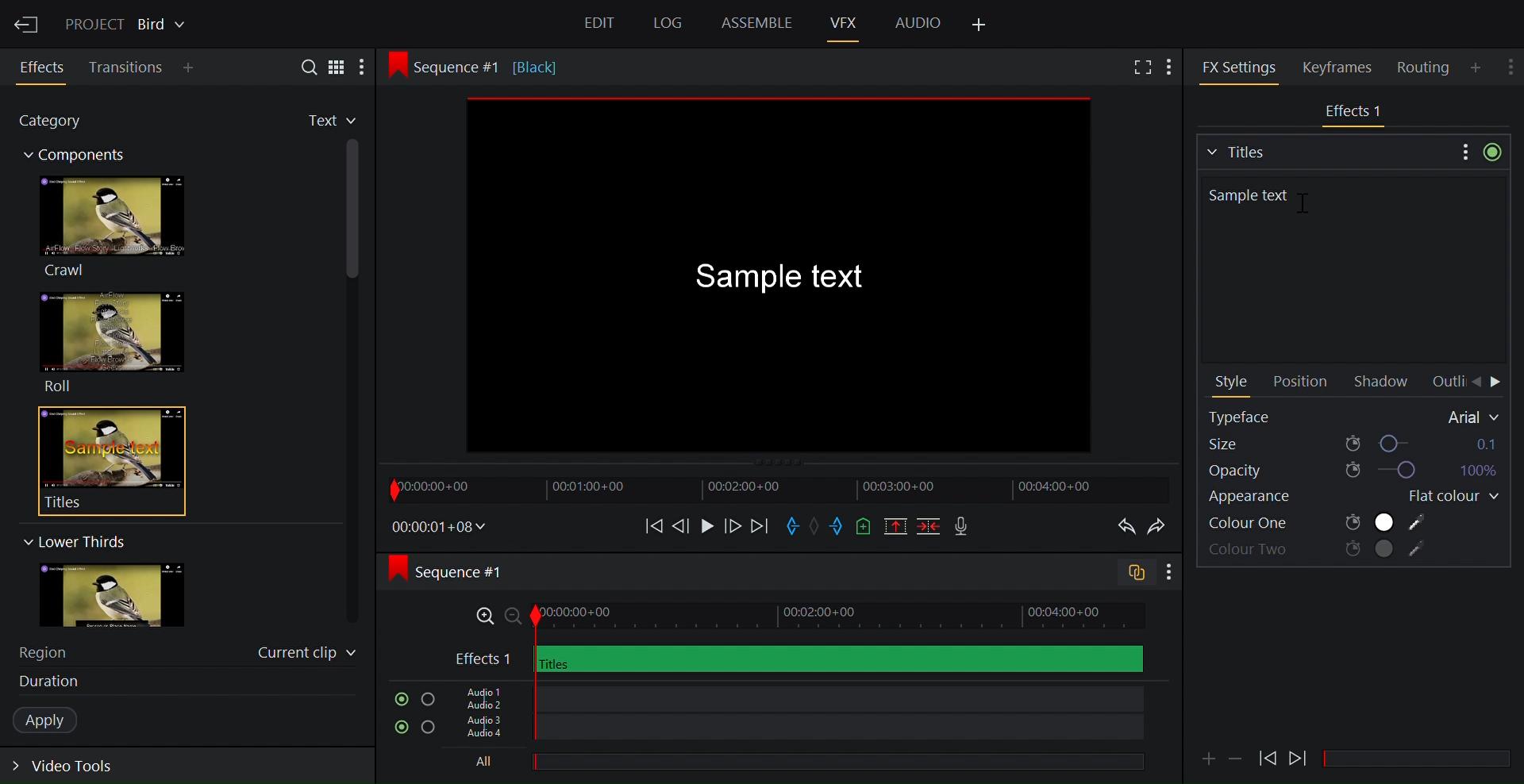 The image size is (1524, 784). Describe the element at coordinates (1168, 573) in the screenshot. I see `Show settings menu` at that location.